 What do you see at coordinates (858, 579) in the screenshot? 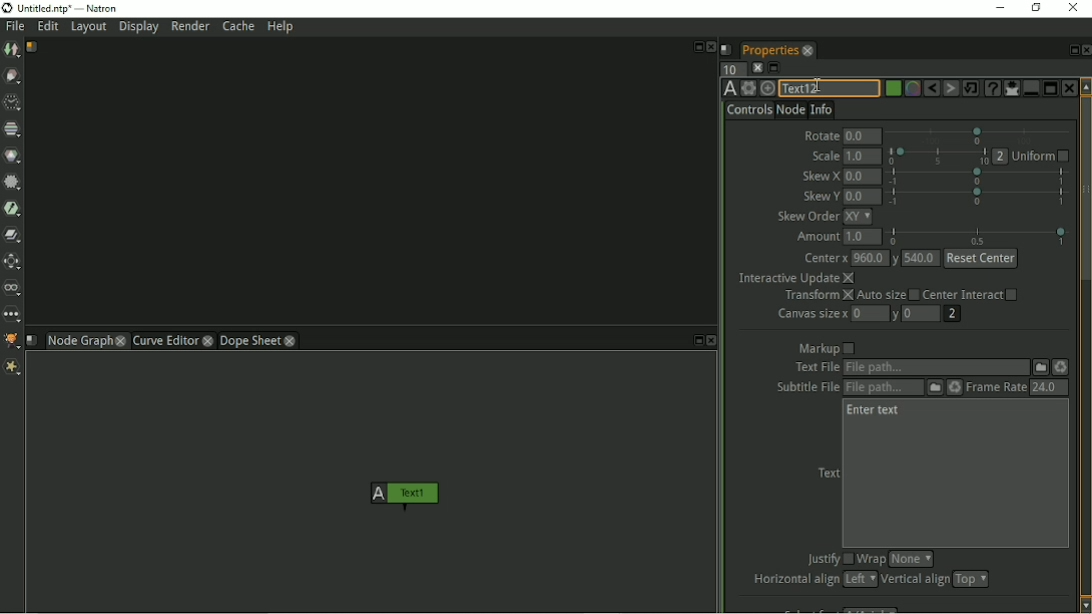
I see `left` at bounding box center [858, 579].